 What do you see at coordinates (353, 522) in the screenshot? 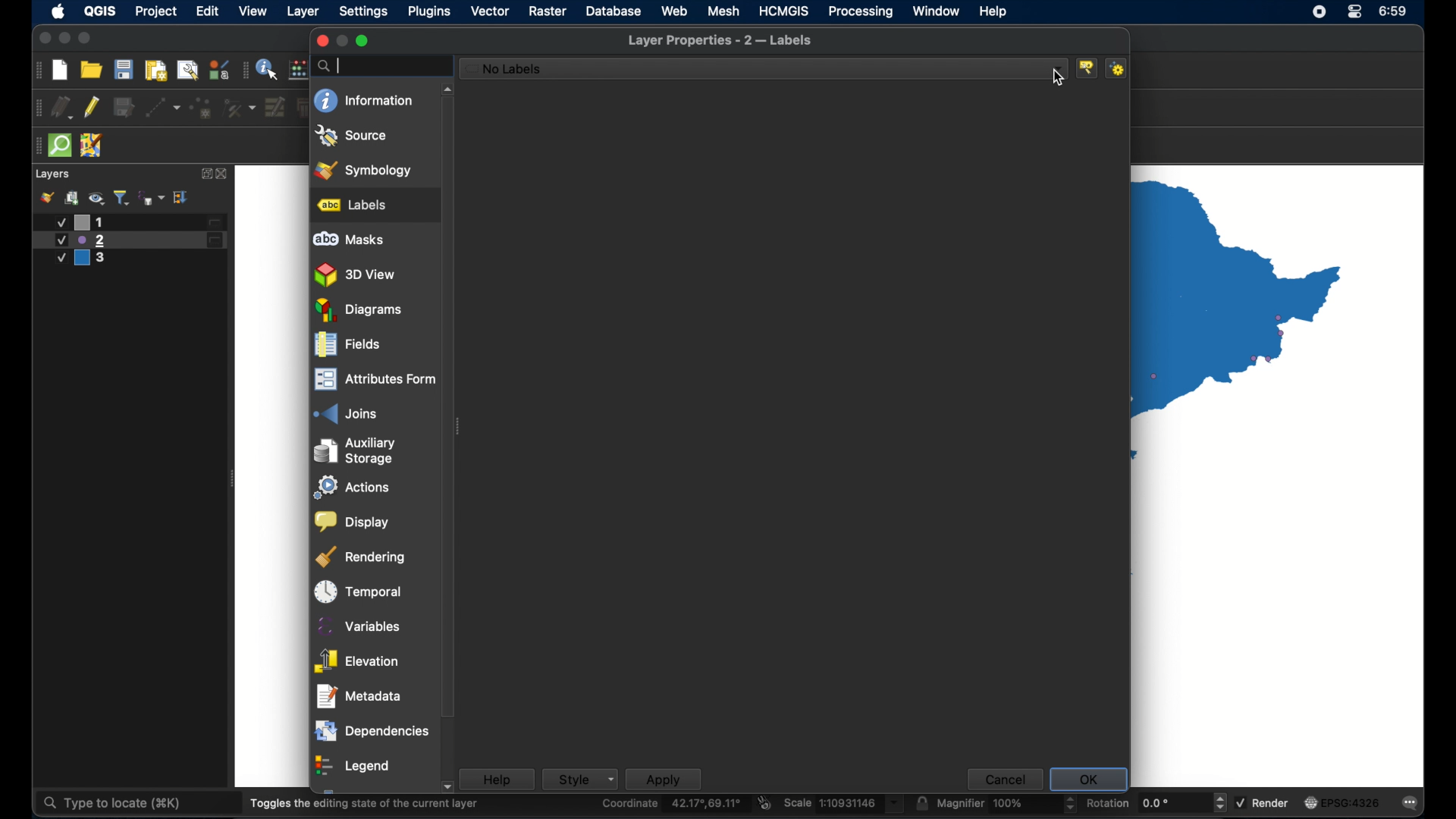
I see `display` at bounding box center [353, 522].